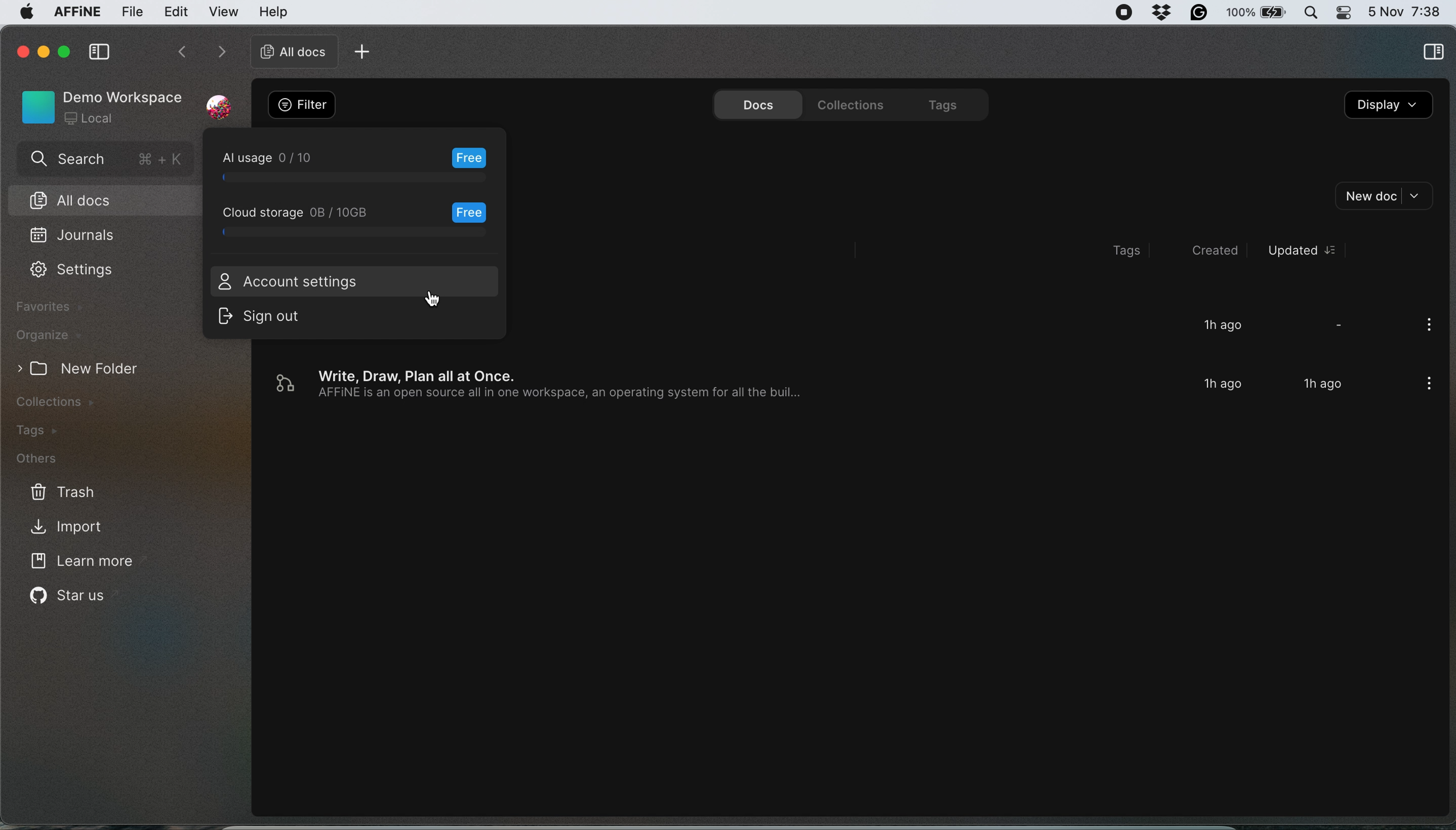 The height and width of the screenshot is (830, 1456). What do you see at coordinates (48, 335) in the screenshot?
I see `organize` at bounding box center [48, 335].